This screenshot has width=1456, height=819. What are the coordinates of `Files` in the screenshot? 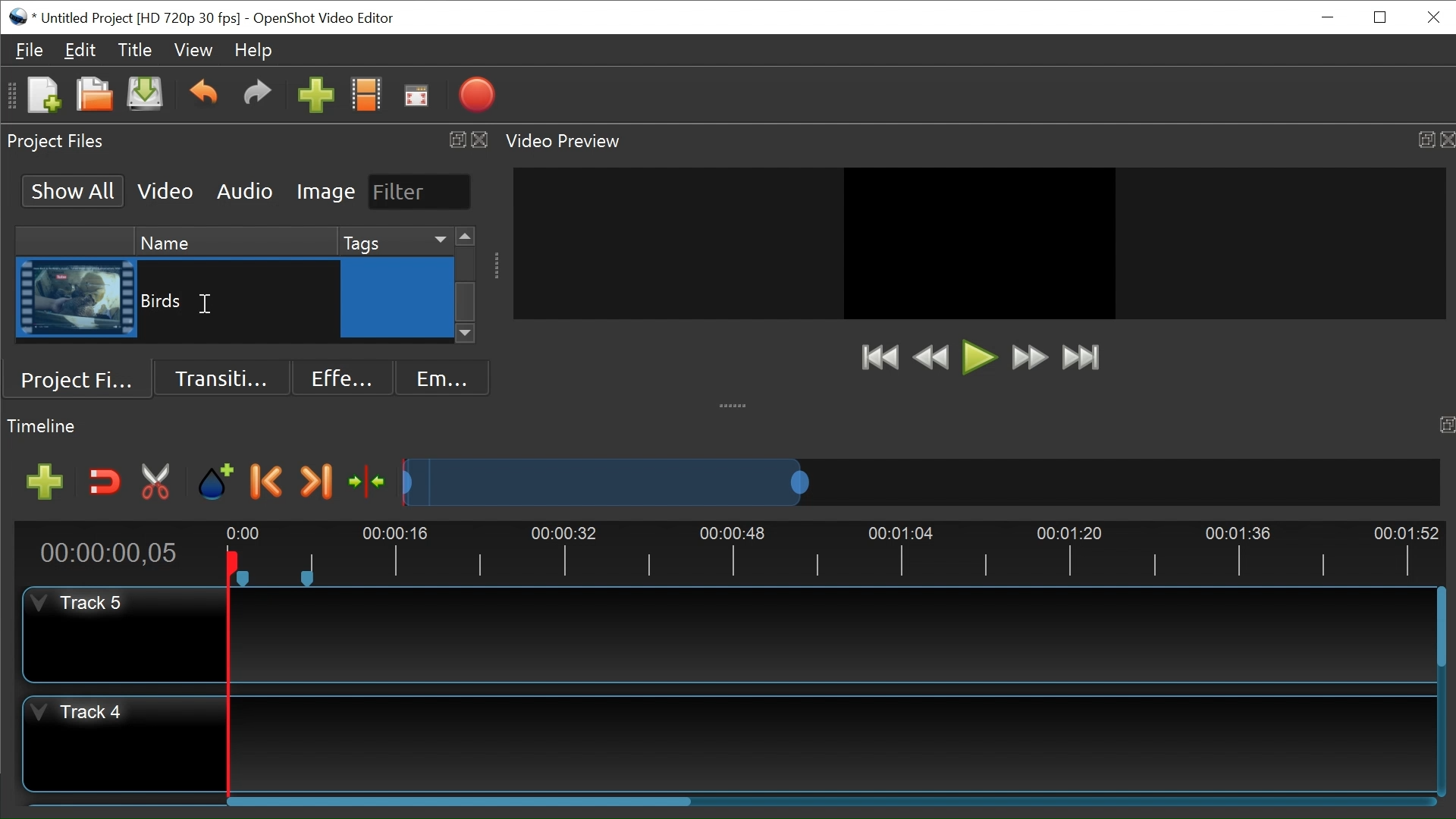 It's located at (30, 49).